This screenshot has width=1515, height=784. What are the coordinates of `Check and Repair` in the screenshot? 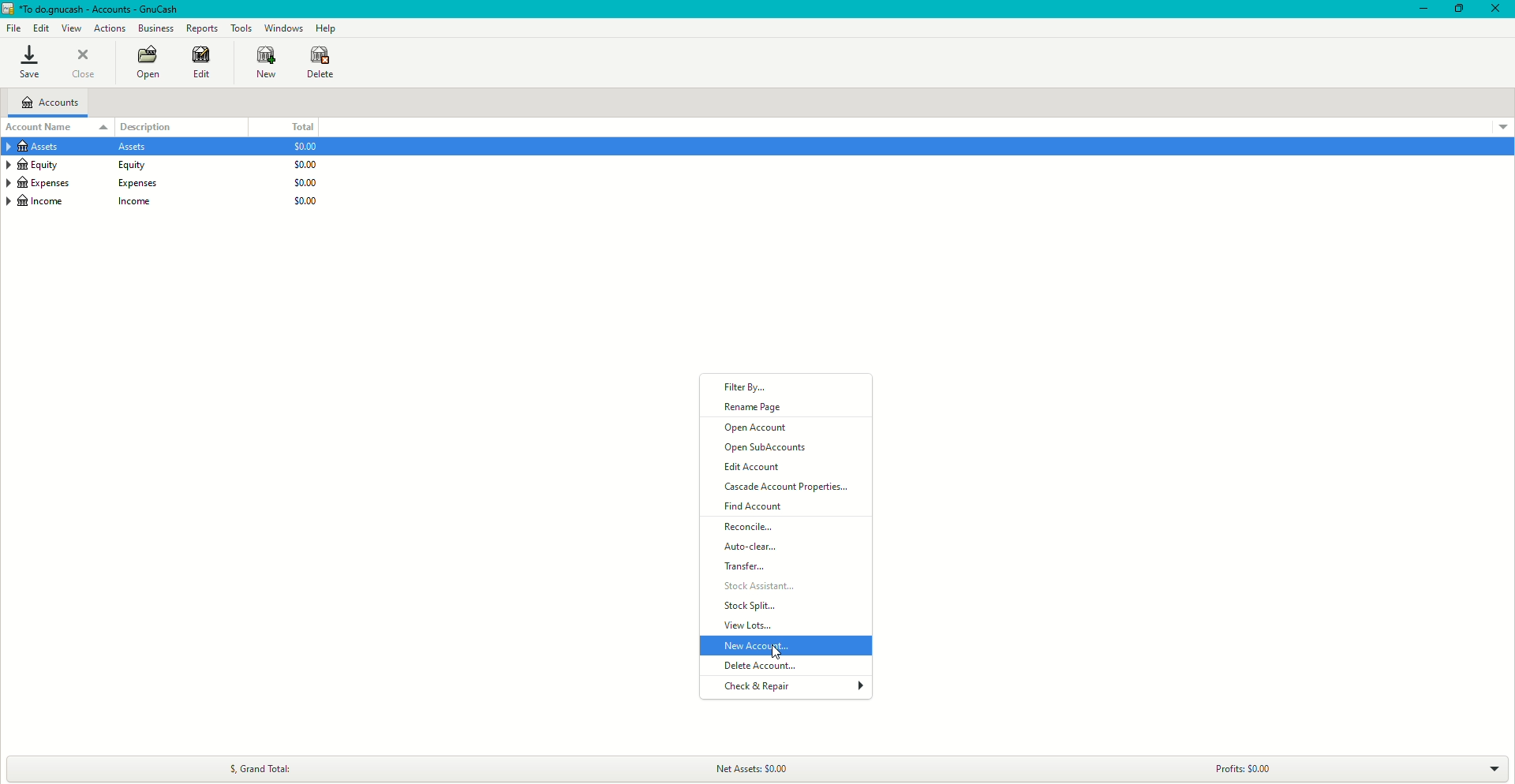 It's located at (754, 689).